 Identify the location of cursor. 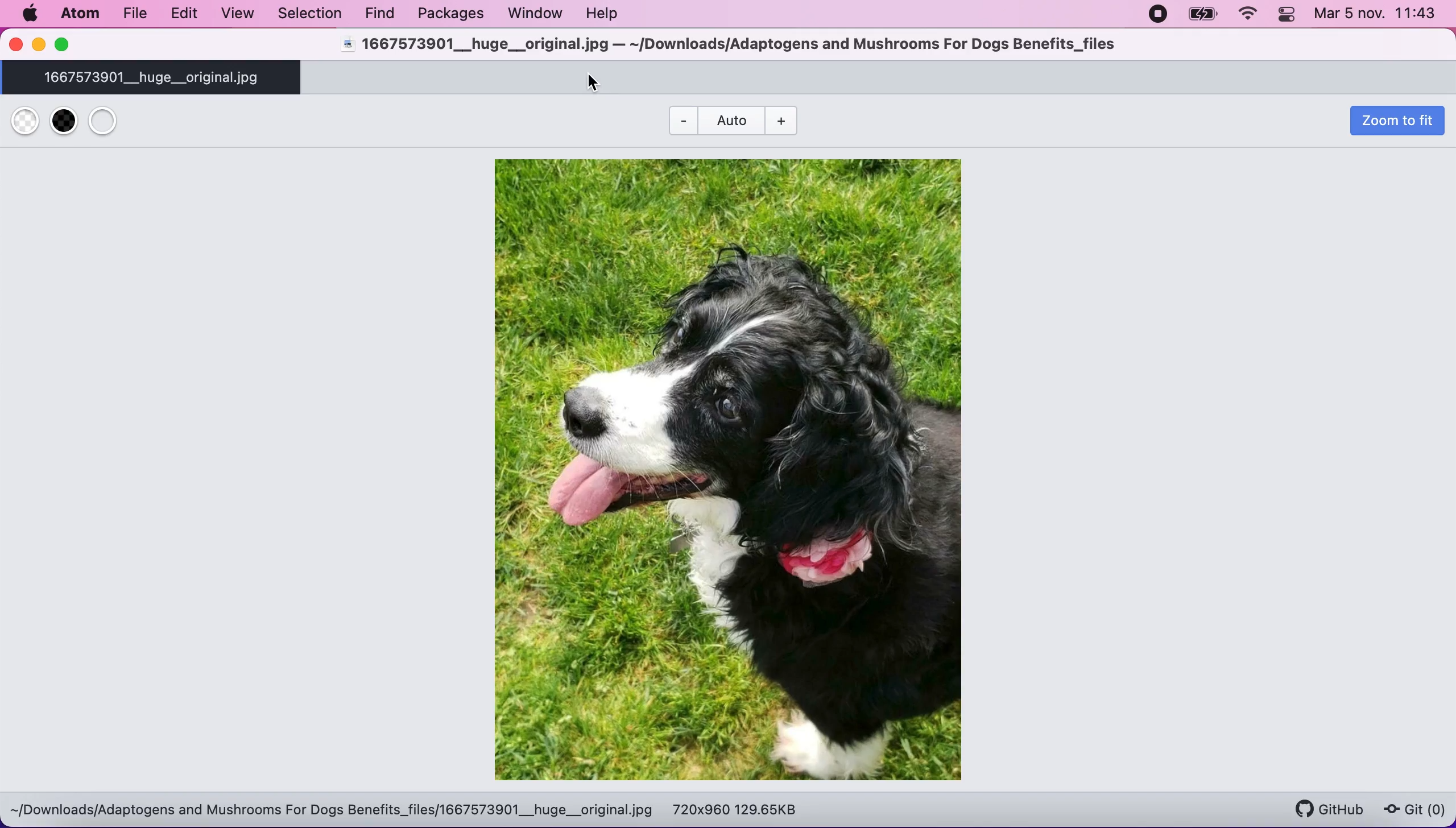
(594, 81).